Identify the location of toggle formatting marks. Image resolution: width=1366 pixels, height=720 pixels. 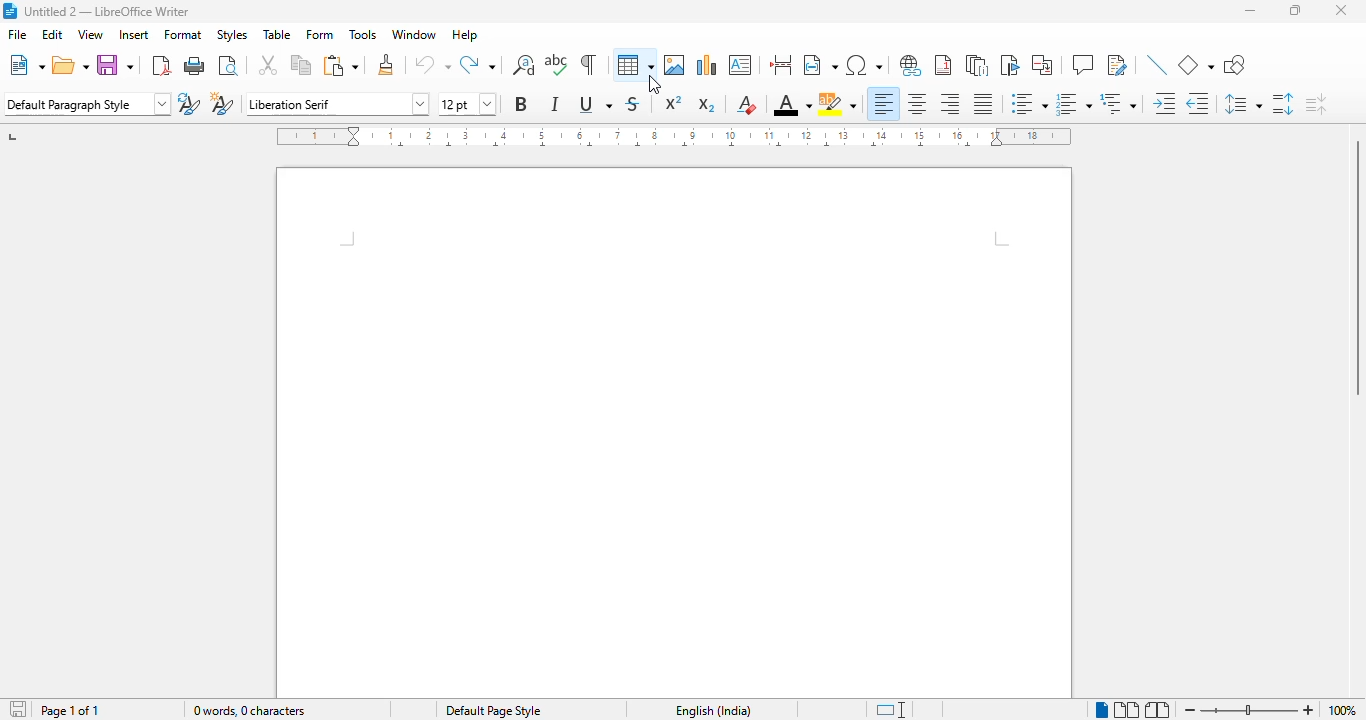
(588, 64).